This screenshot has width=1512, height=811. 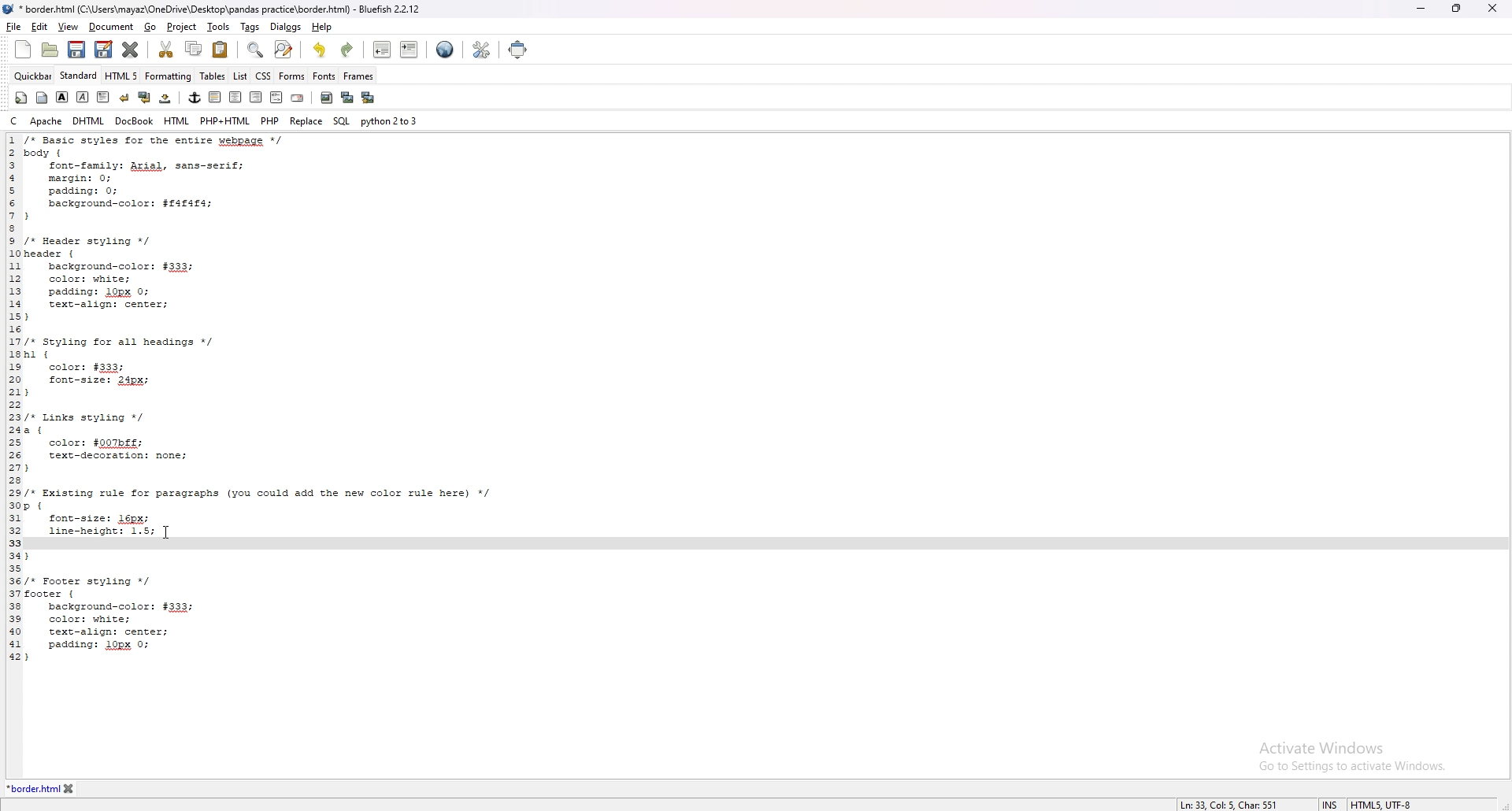 I want to click on paragraph, so click(x=102, y=96).